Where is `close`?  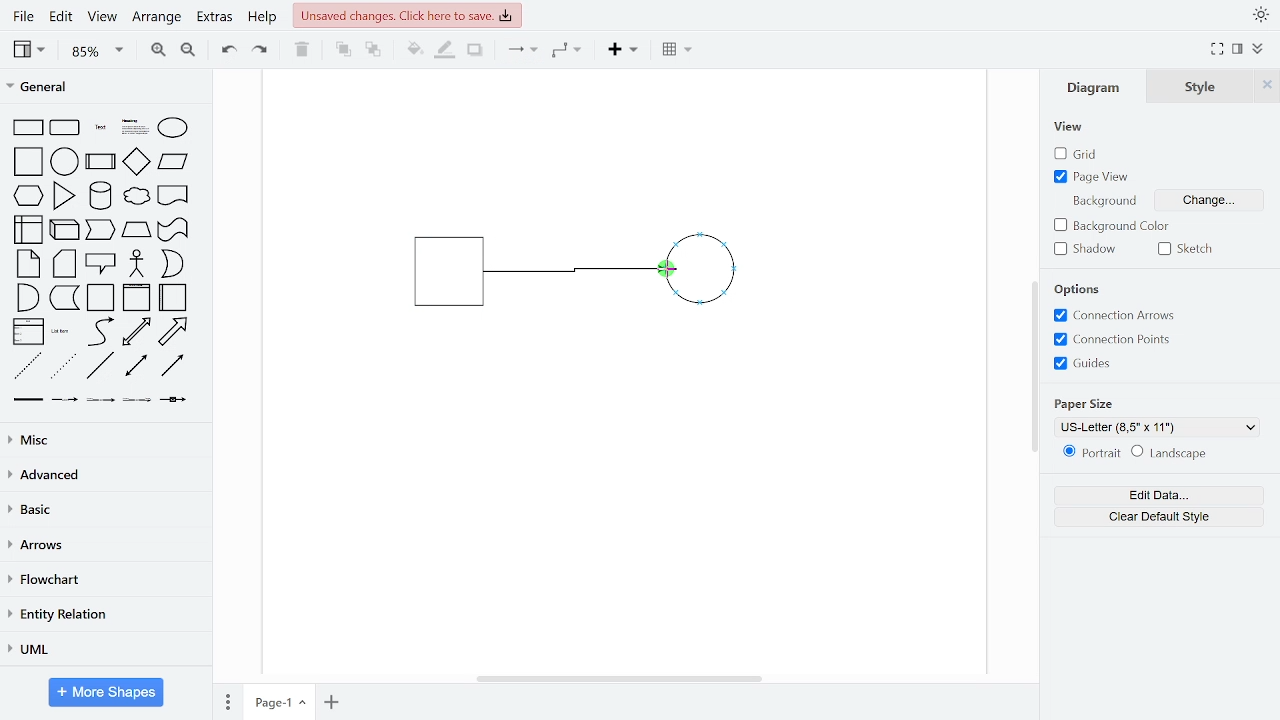
close is located at coordinates (1267, 85).